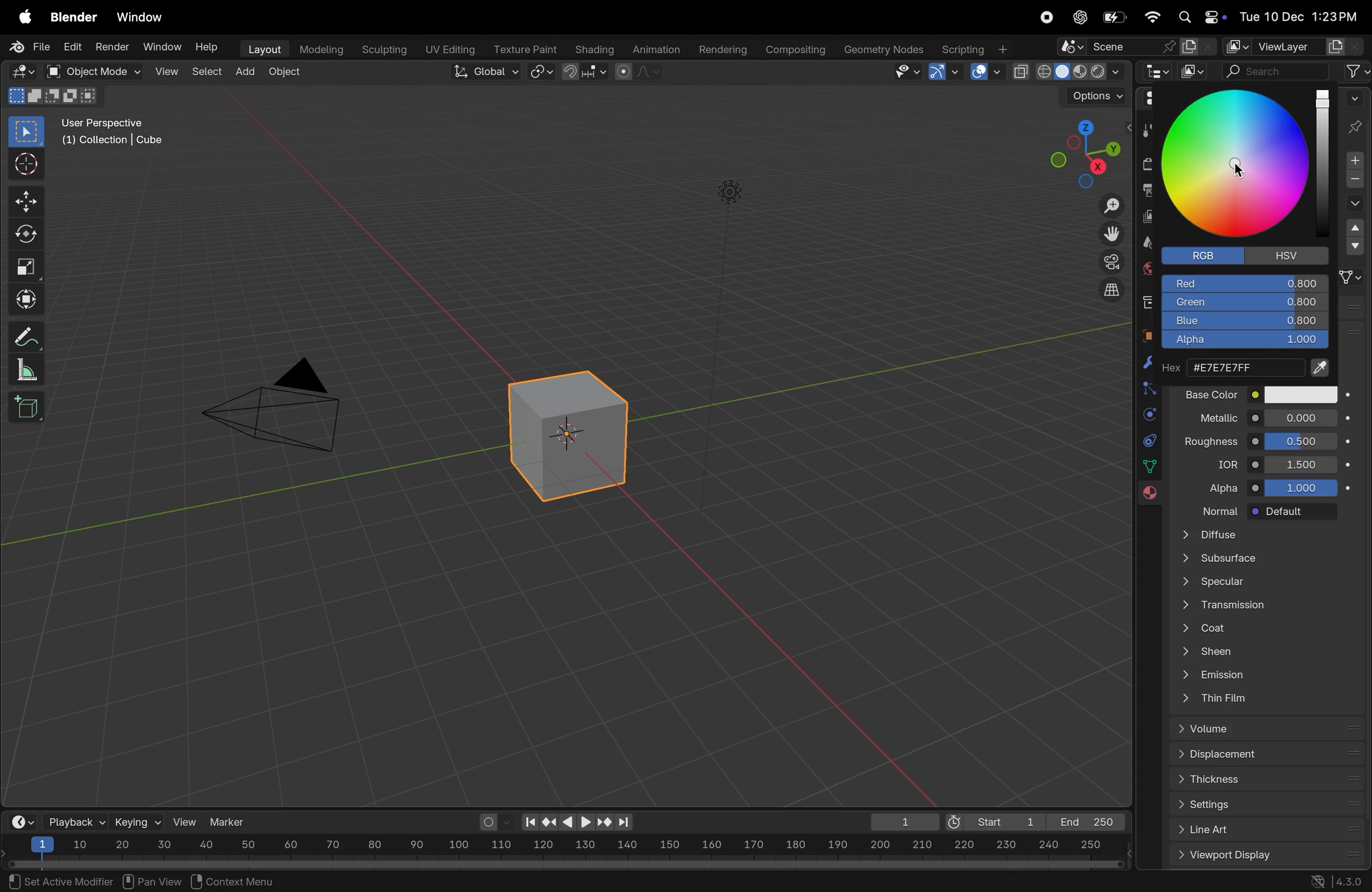 This screenshot has height=892, width=1372. What do you see at coordinates (165, 71) in the screenshot?
I see `View` at bounding box center [165, 71].